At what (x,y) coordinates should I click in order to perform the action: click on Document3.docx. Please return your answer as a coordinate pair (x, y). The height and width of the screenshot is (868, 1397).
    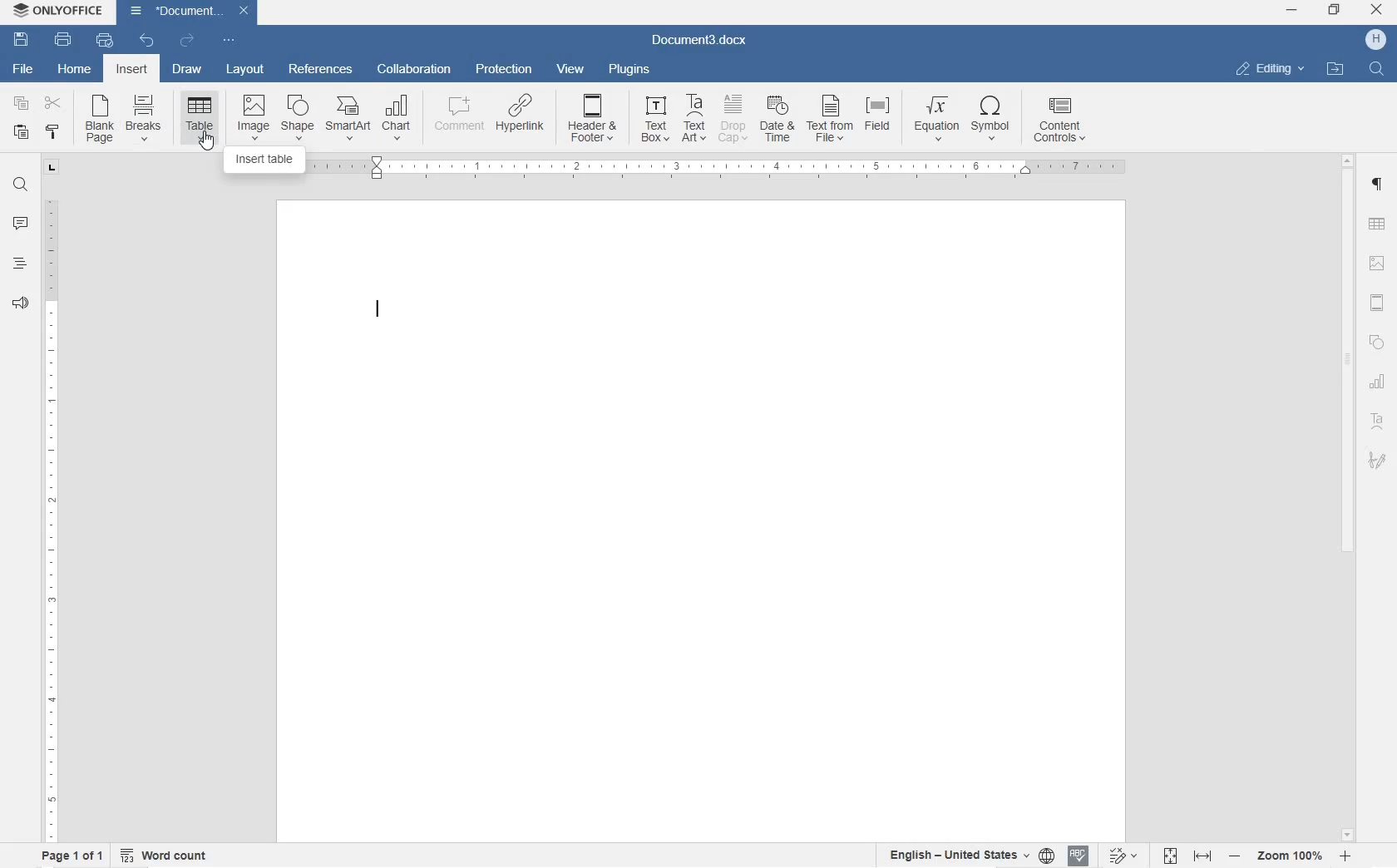
    Looking at the image, I should click on (190, 11).